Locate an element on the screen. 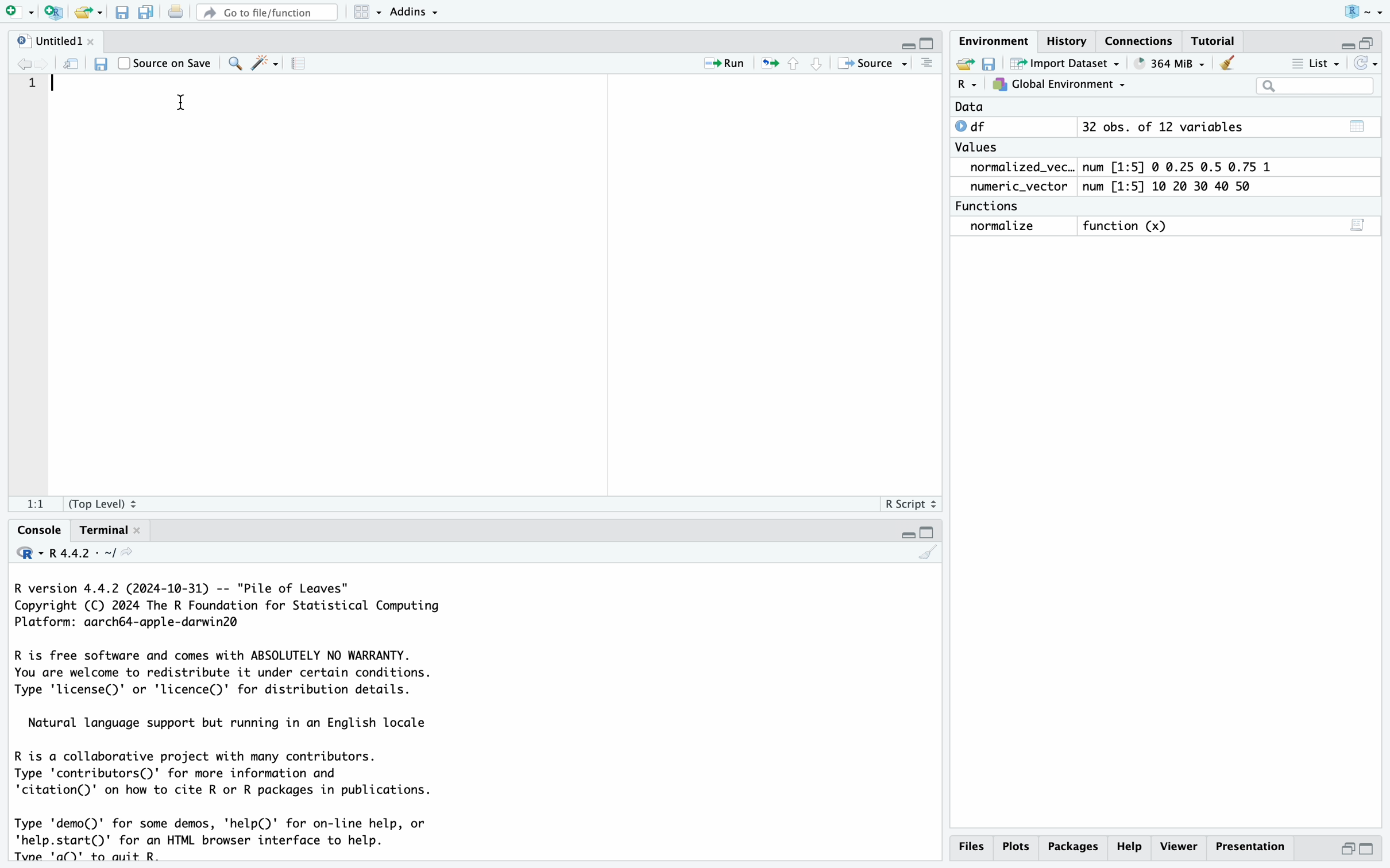 The image size is (1390, 868). Fullscreen is located at coordinates (1360, 41).